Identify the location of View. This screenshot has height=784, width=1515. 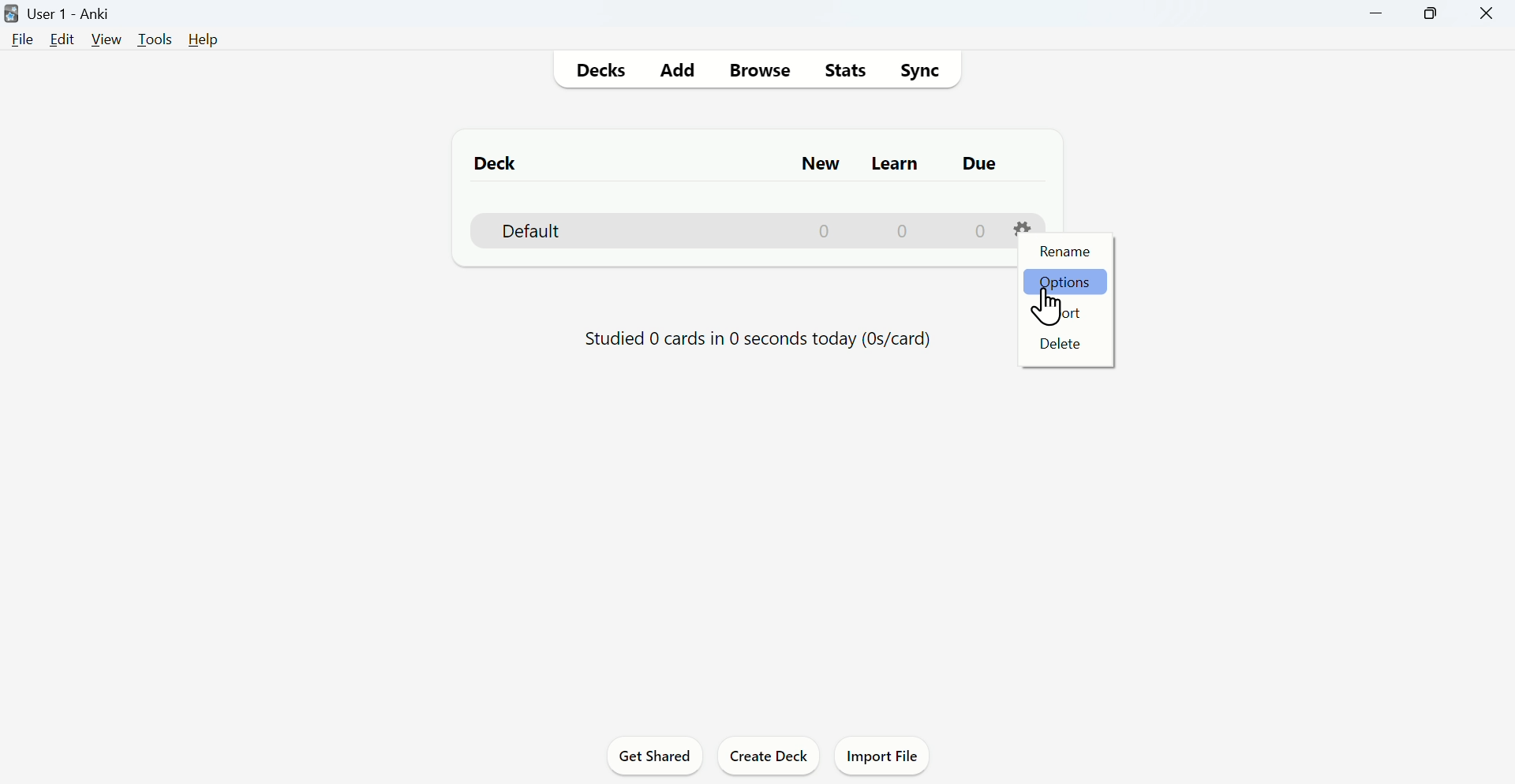
(107, 39).